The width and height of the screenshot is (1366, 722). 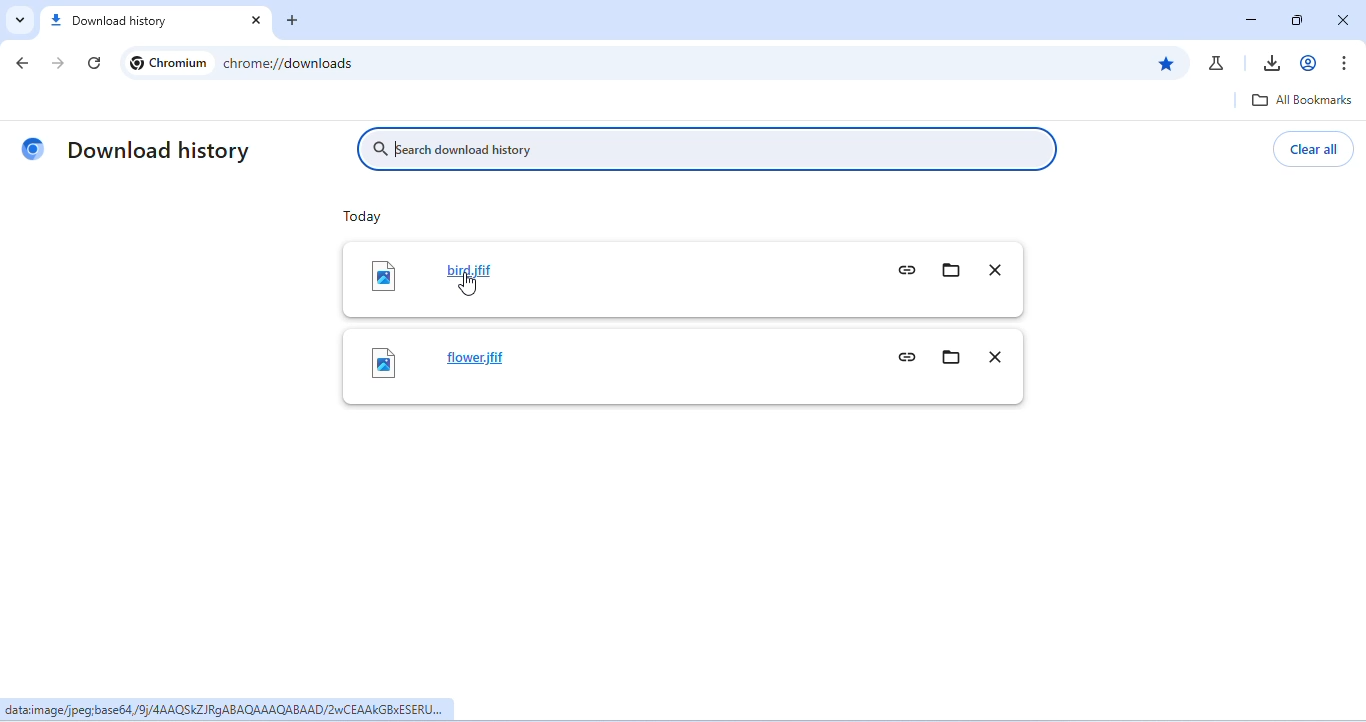 I want to click on image icon, so click(x=384, y=362).